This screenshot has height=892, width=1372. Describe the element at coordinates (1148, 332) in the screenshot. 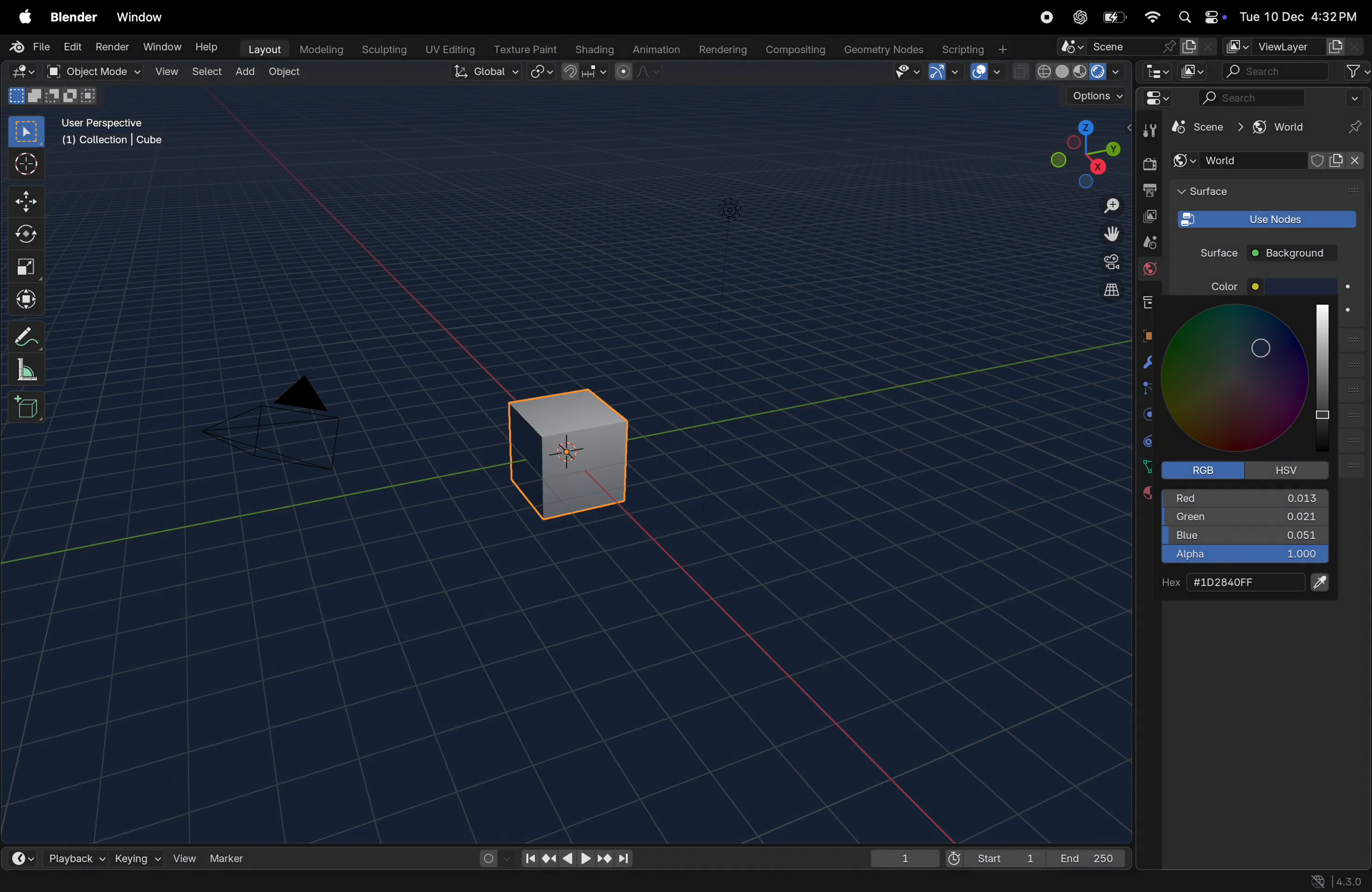

I see `object ` at that location.